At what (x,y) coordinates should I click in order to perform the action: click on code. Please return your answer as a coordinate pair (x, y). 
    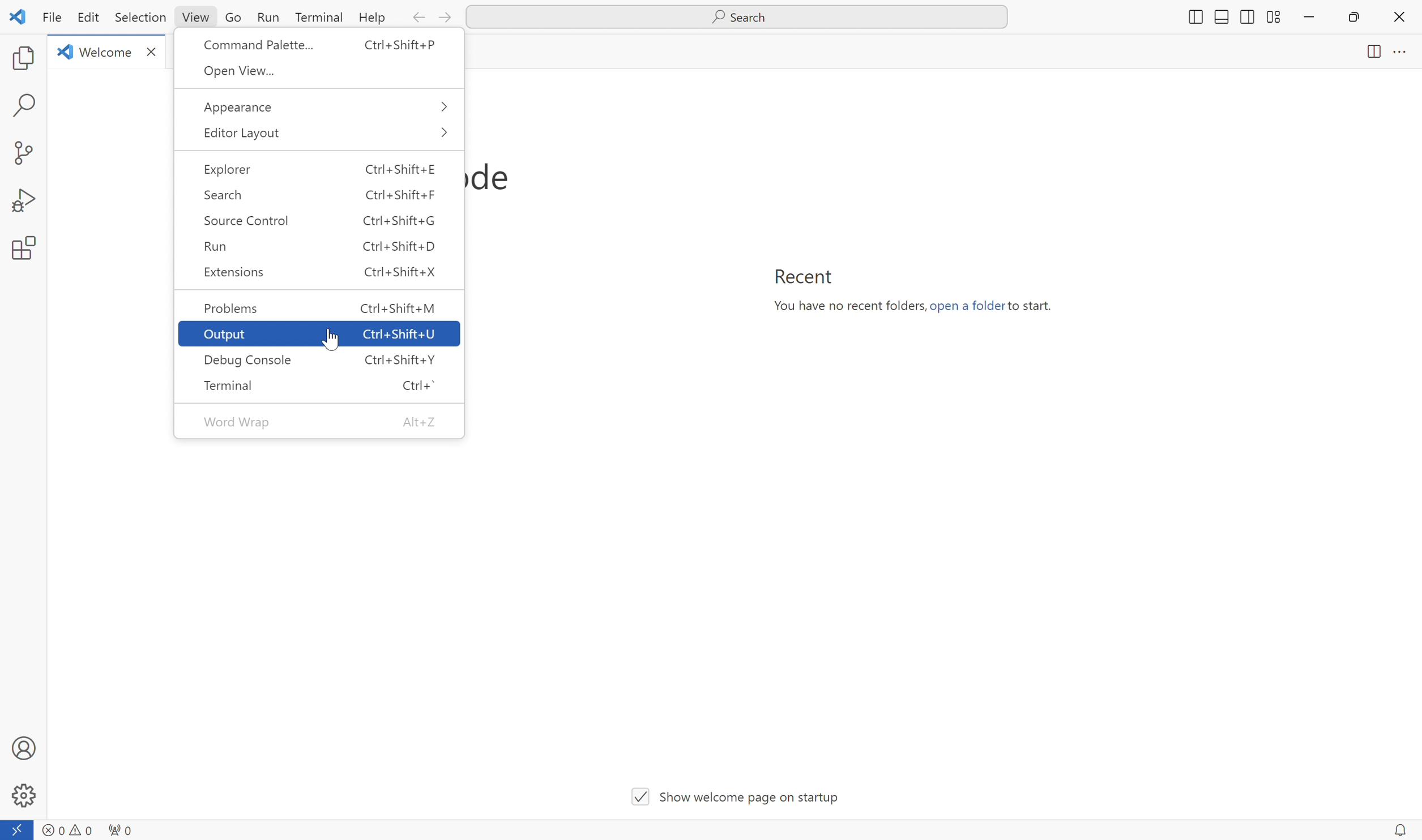
    Looking at the image, I should click on (496, 175).